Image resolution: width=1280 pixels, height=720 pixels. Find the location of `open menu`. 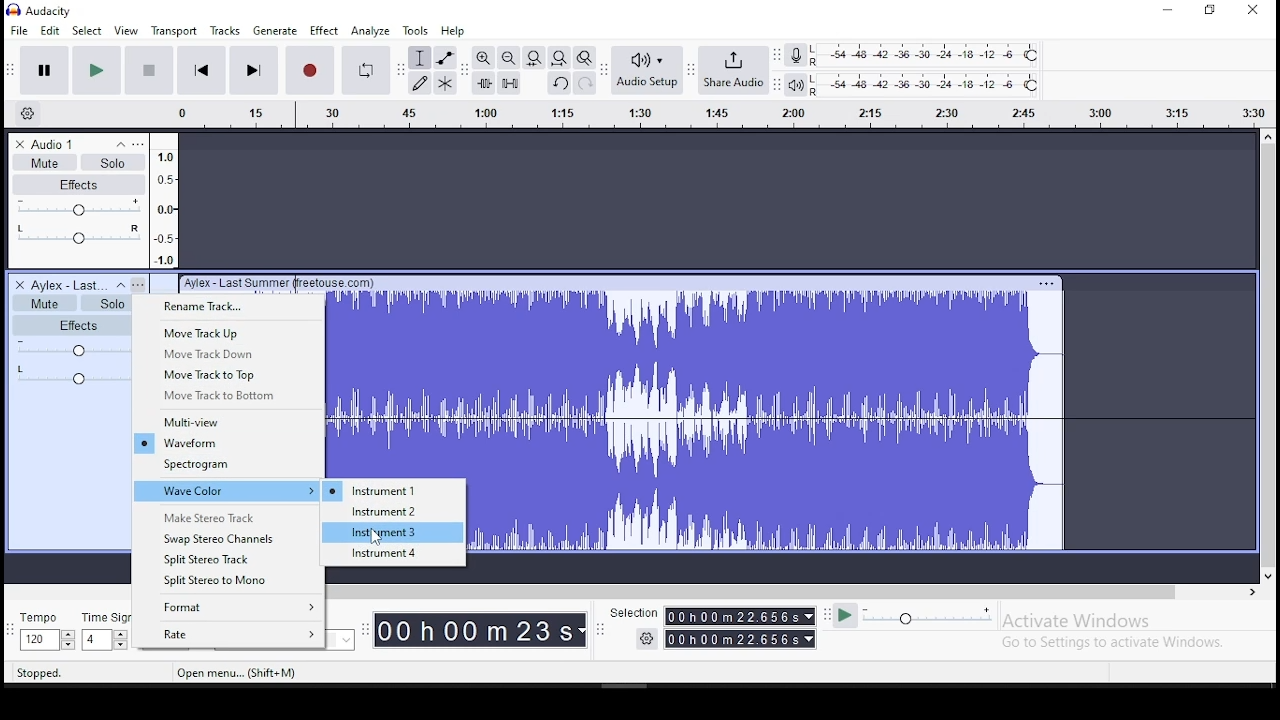

open menu is located at coordinates (698, 116).